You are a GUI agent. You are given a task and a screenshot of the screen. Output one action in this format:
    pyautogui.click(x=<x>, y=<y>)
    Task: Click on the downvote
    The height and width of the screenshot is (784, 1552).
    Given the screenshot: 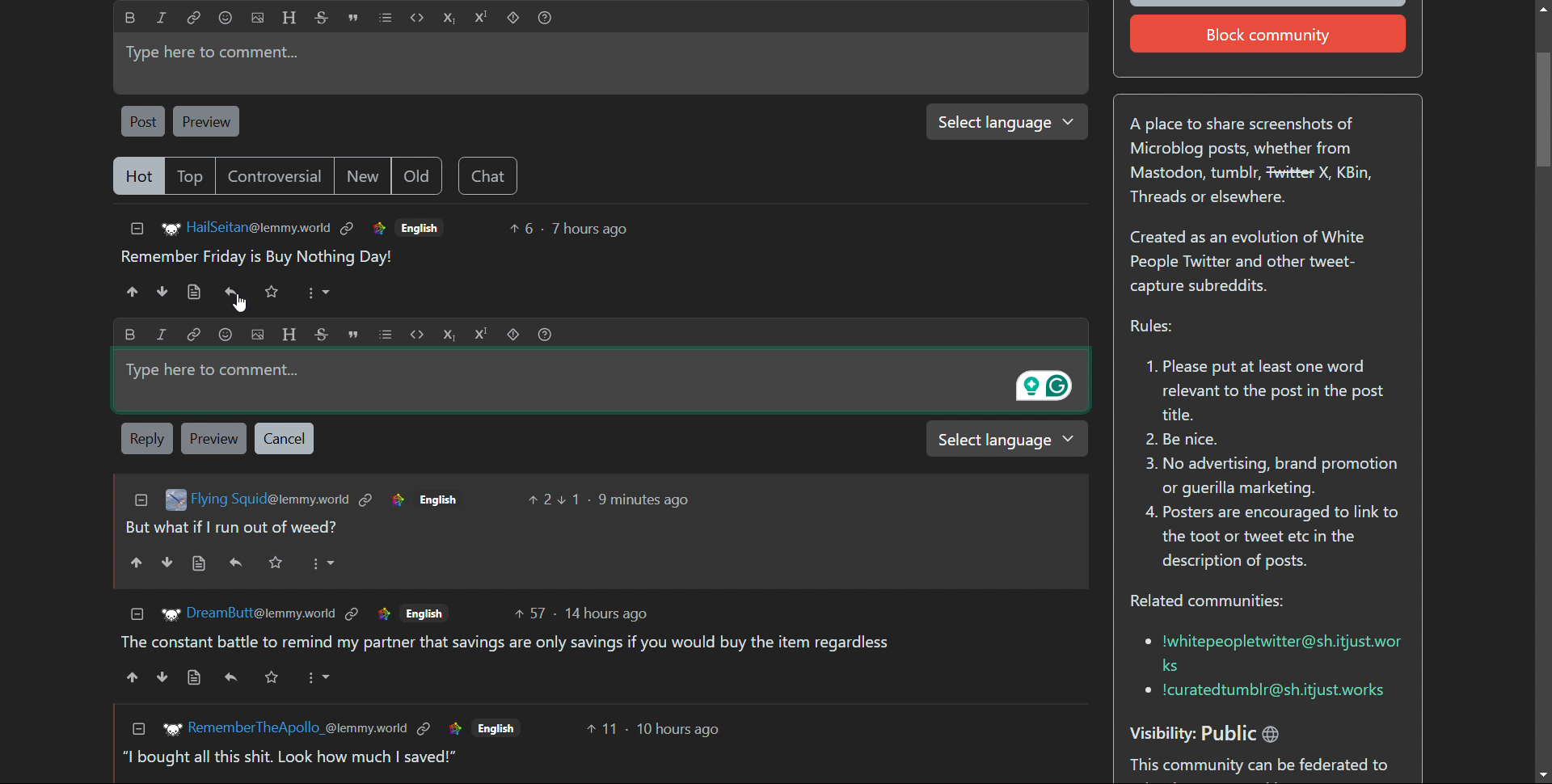 What is the action you would take?
    pyautogui.click(x=155, y=679)
    